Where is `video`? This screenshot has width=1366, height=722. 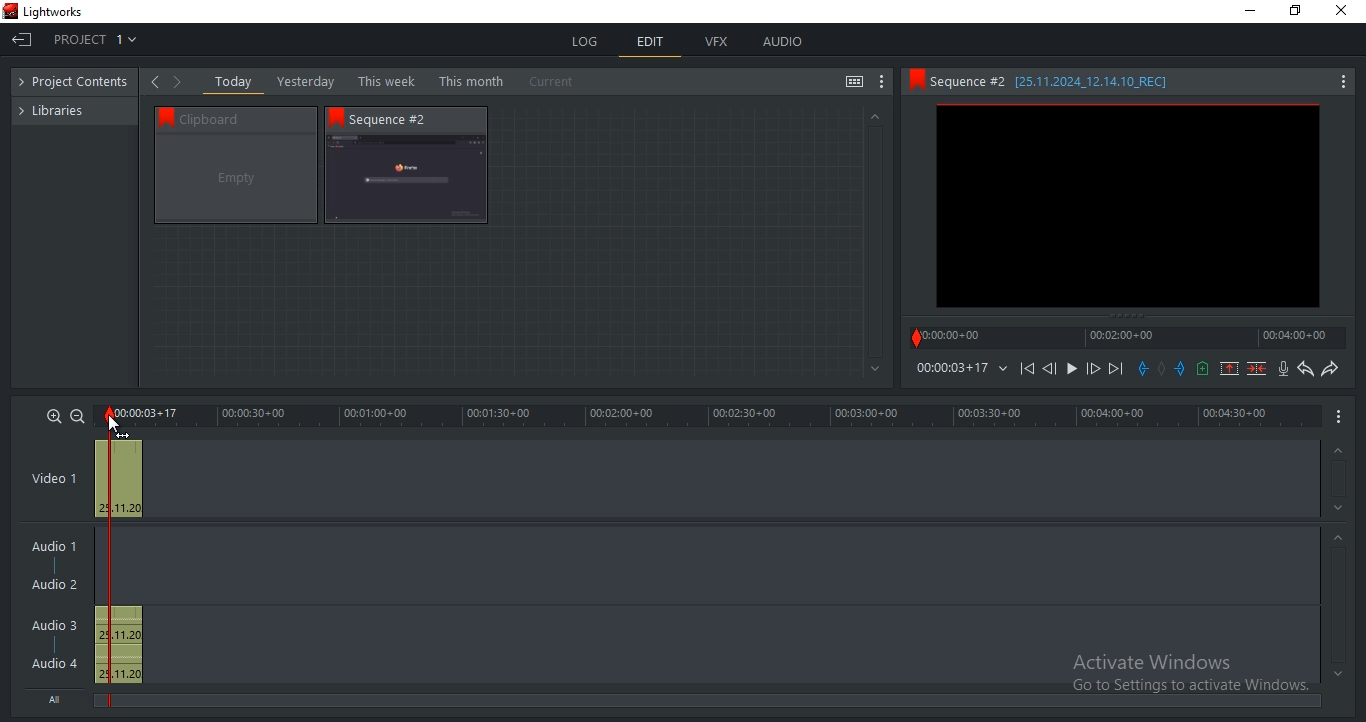
video is located at coordinates (118, 479).